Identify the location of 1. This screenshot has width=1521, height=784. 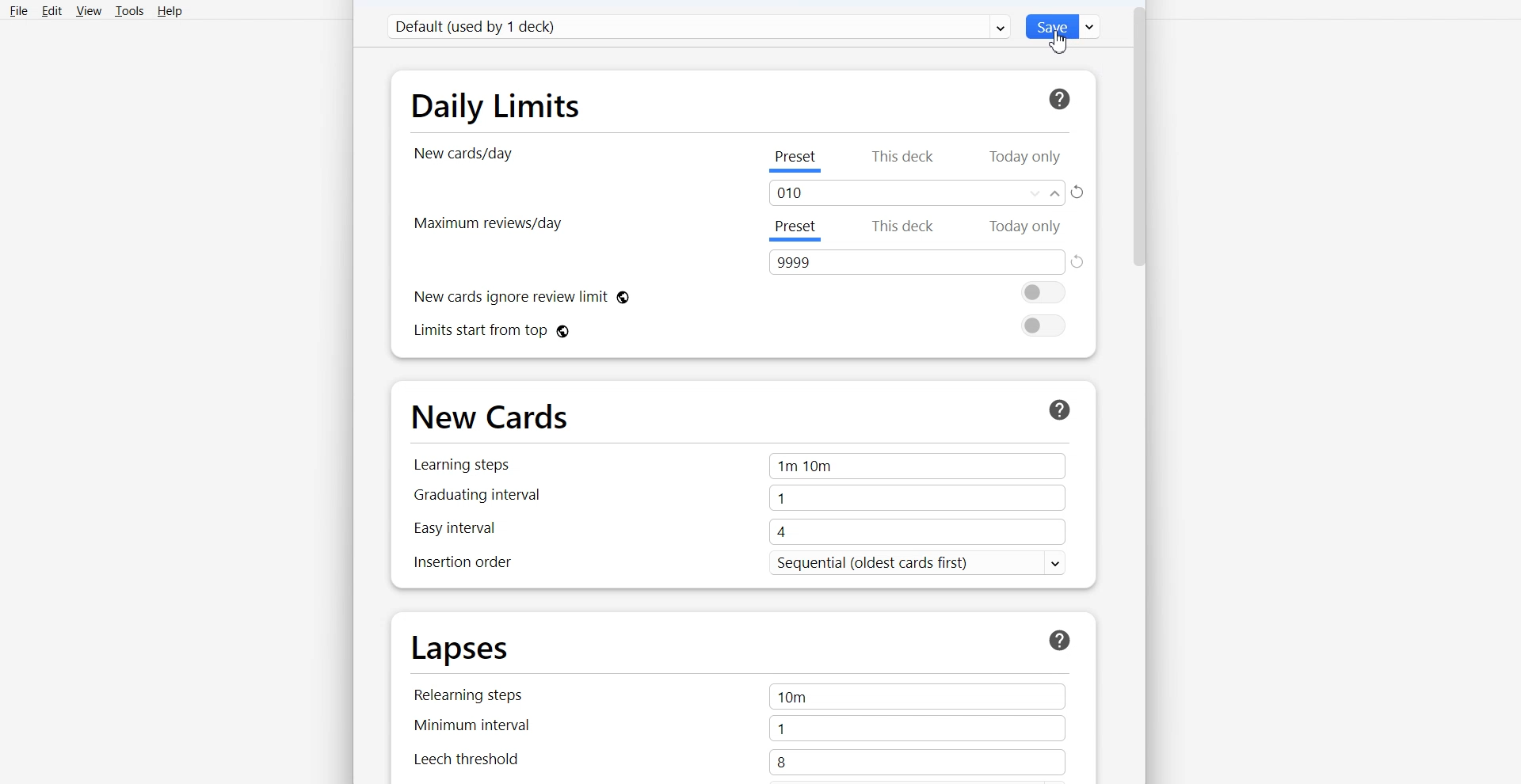
(915, 499).